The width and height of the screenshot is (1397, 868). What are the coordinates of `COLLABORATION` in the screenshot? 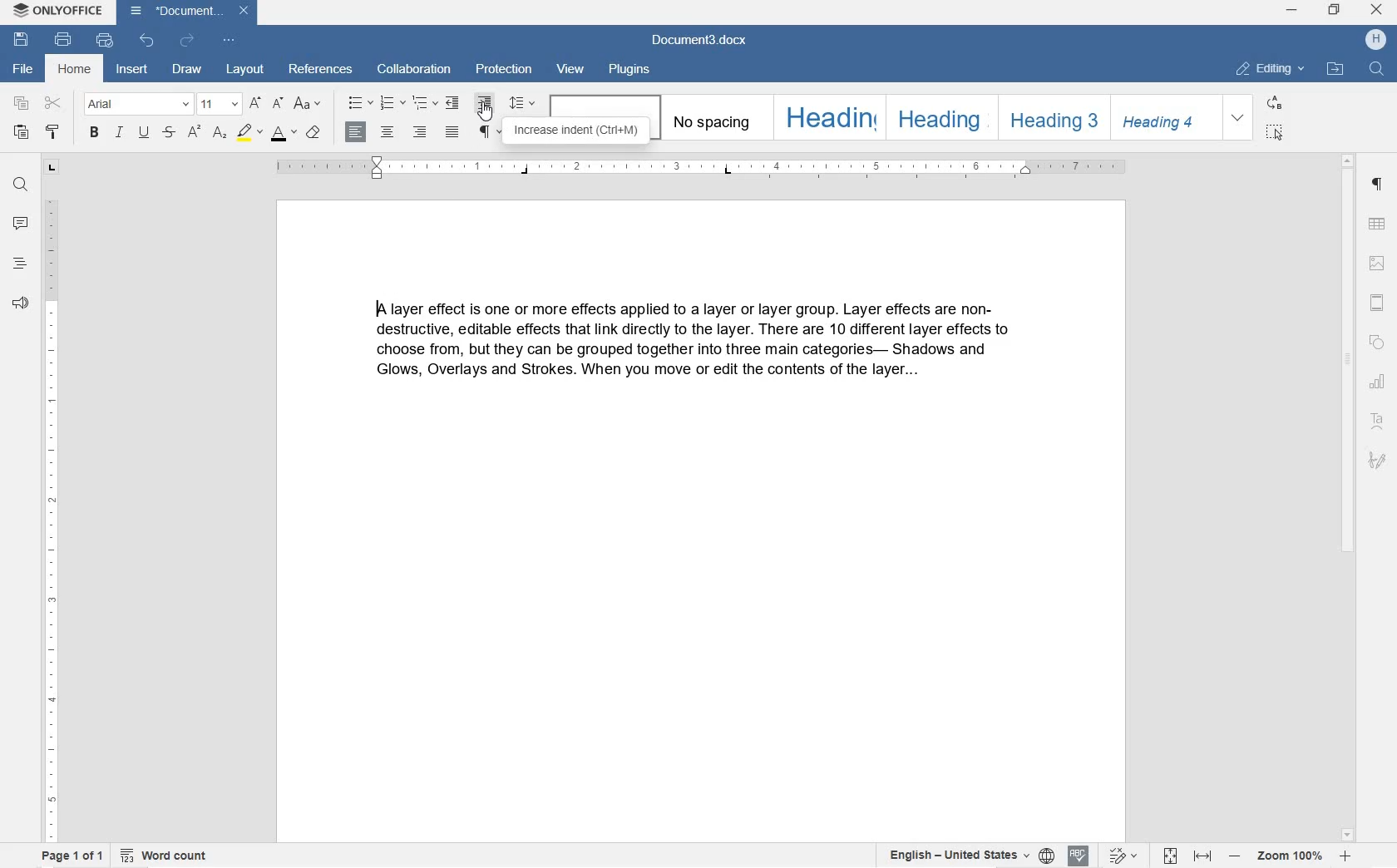 It's located at (414, 70).